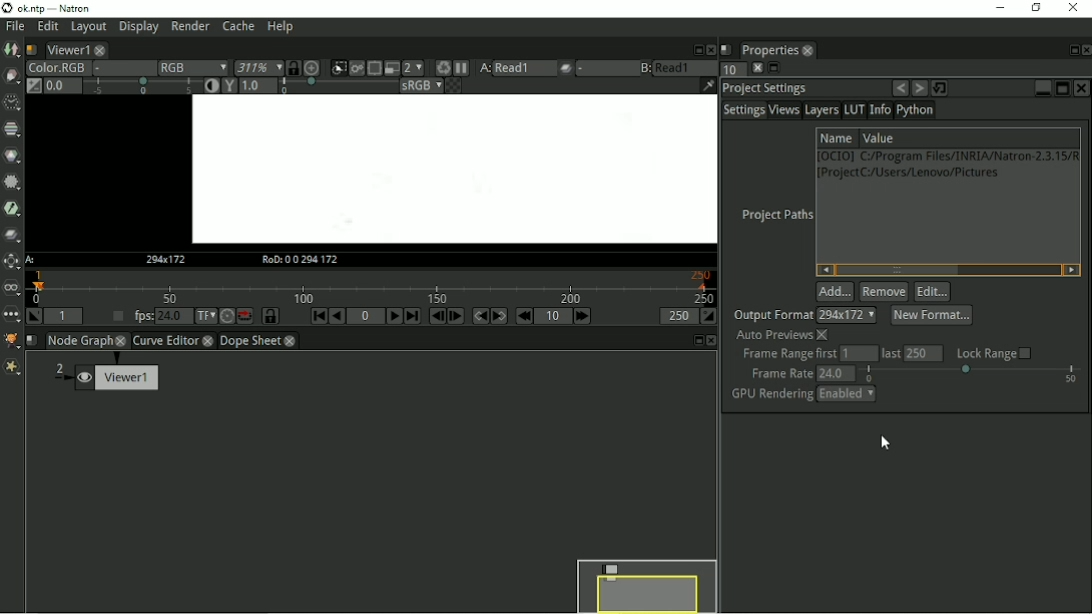 Image resolution: width=1092 pixels, height=614 pixels. What do you see at coordinates (607, 69) in the screenshot?
I see `menu` at bounding box center [607, 69].